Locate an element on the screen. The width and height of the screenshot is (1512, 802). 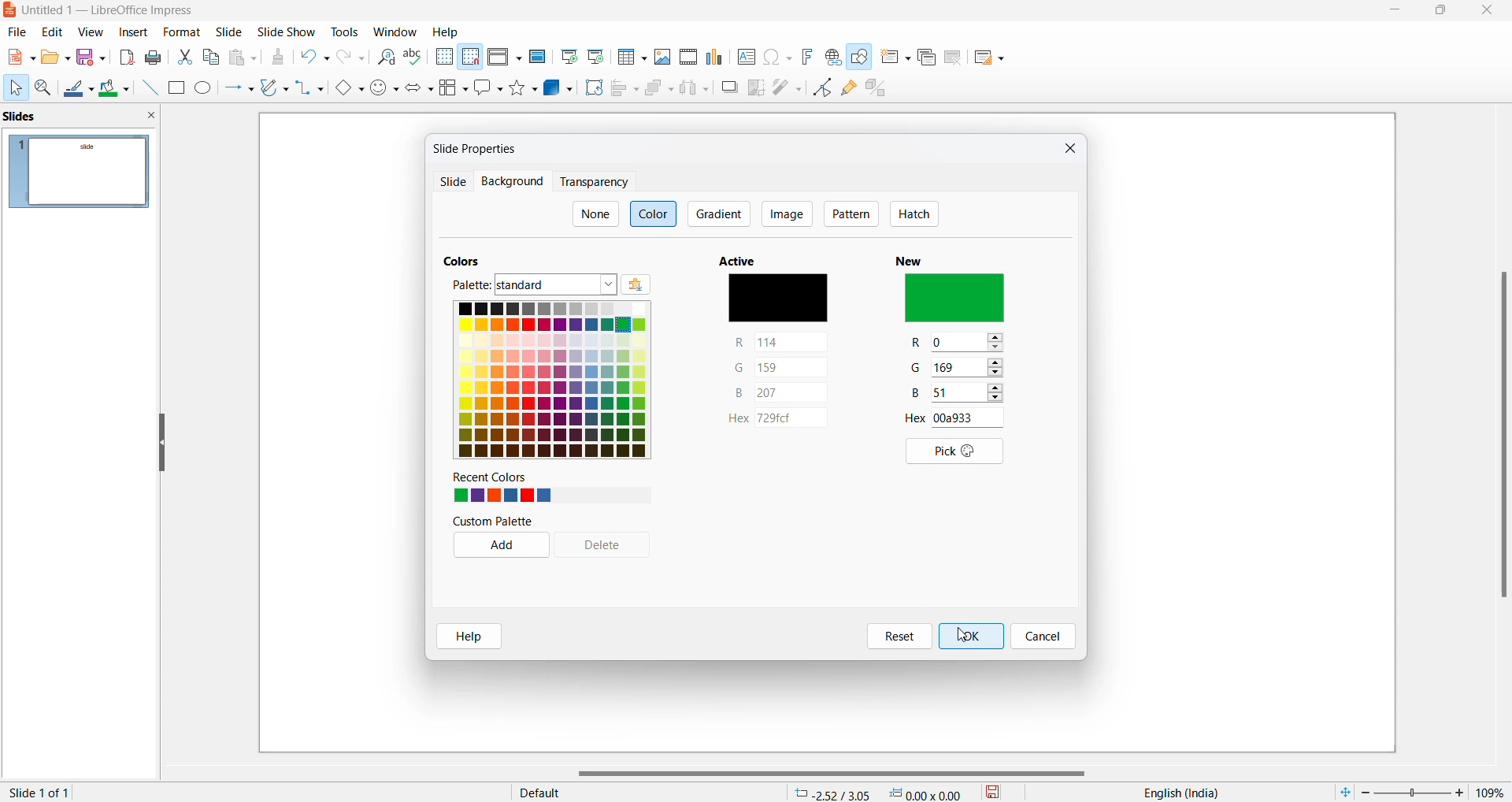
current slide and slide number is located at coordinates (43, 793).